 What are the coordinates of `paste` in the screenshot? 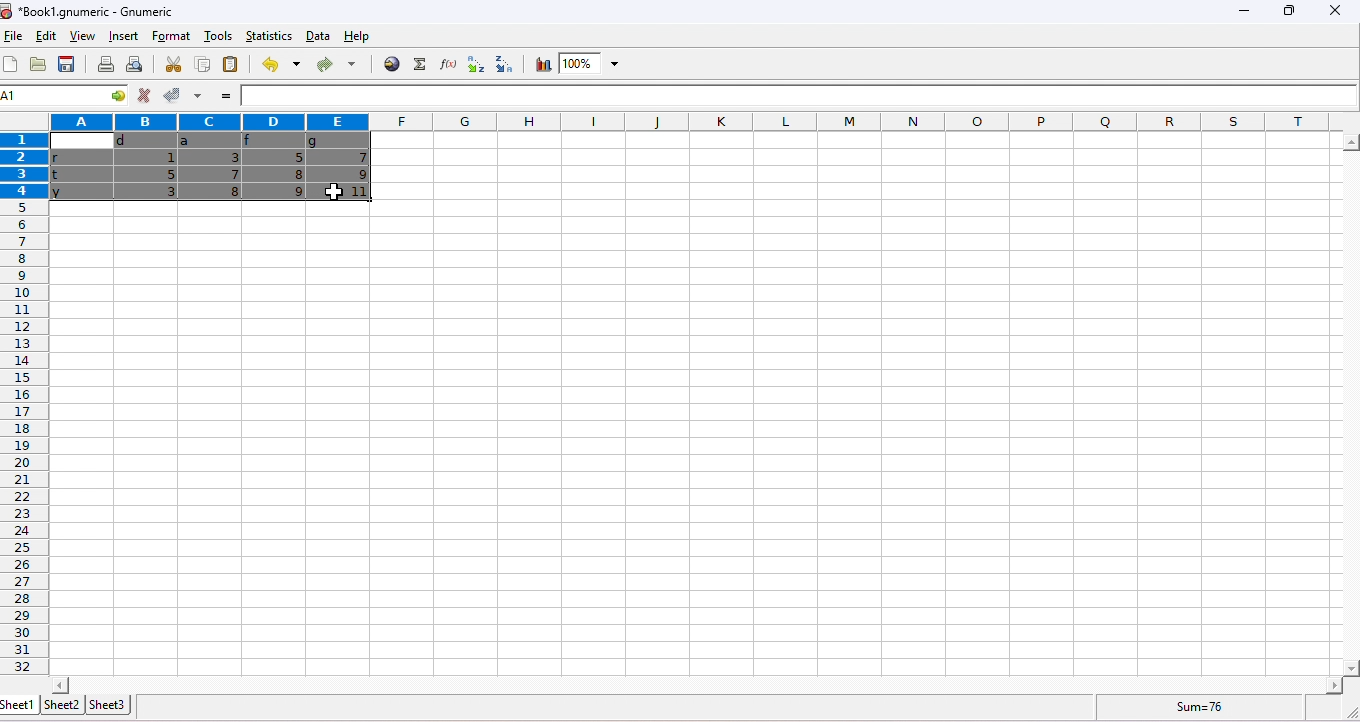 It's located at (232, 66).